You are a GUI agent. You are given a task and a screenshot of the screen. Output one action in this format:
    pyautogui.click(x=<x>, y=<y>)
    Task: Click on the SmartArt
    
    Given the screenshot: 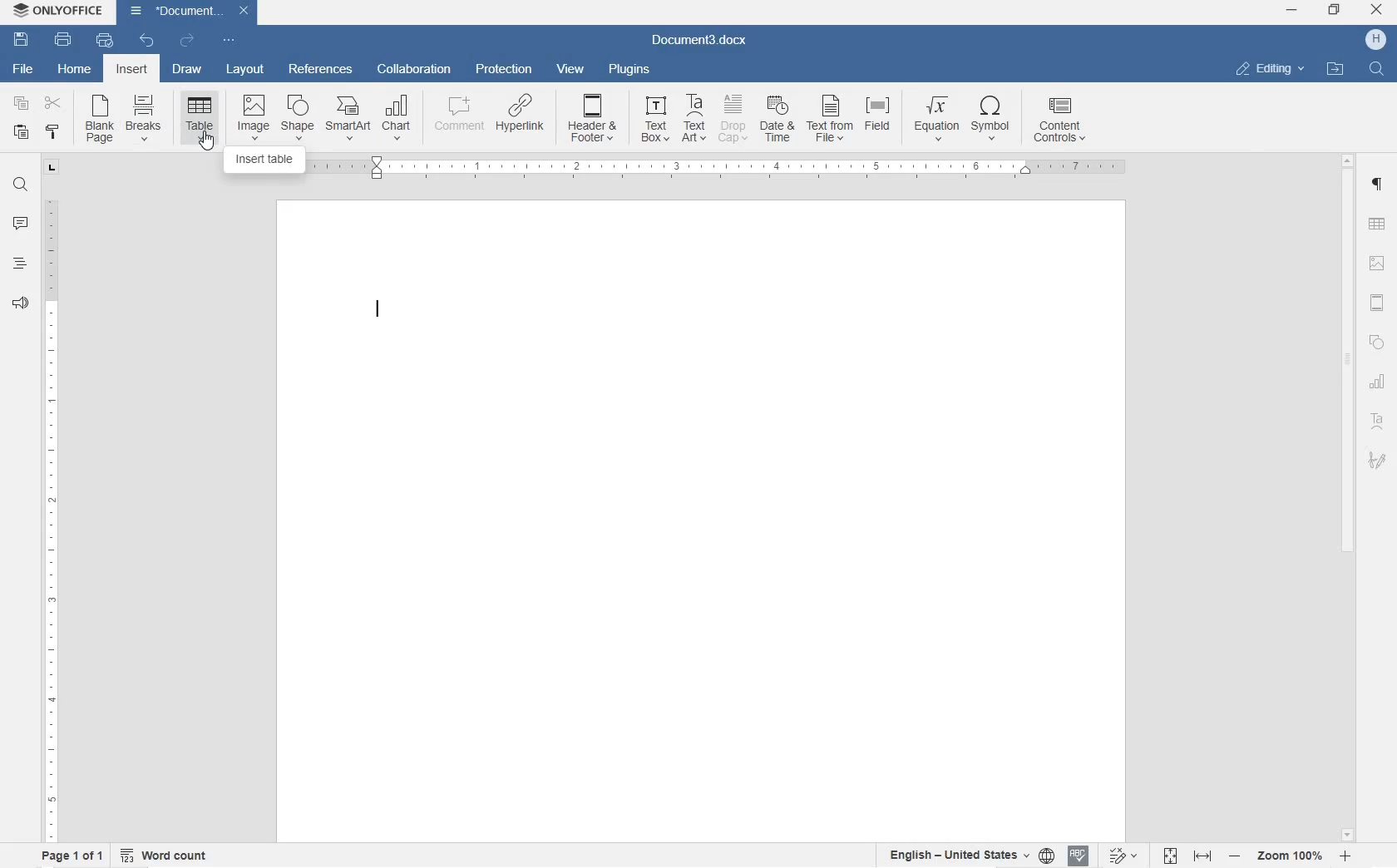 What is the action you would take?
    pyautogui.click(x=347, y=120)
    